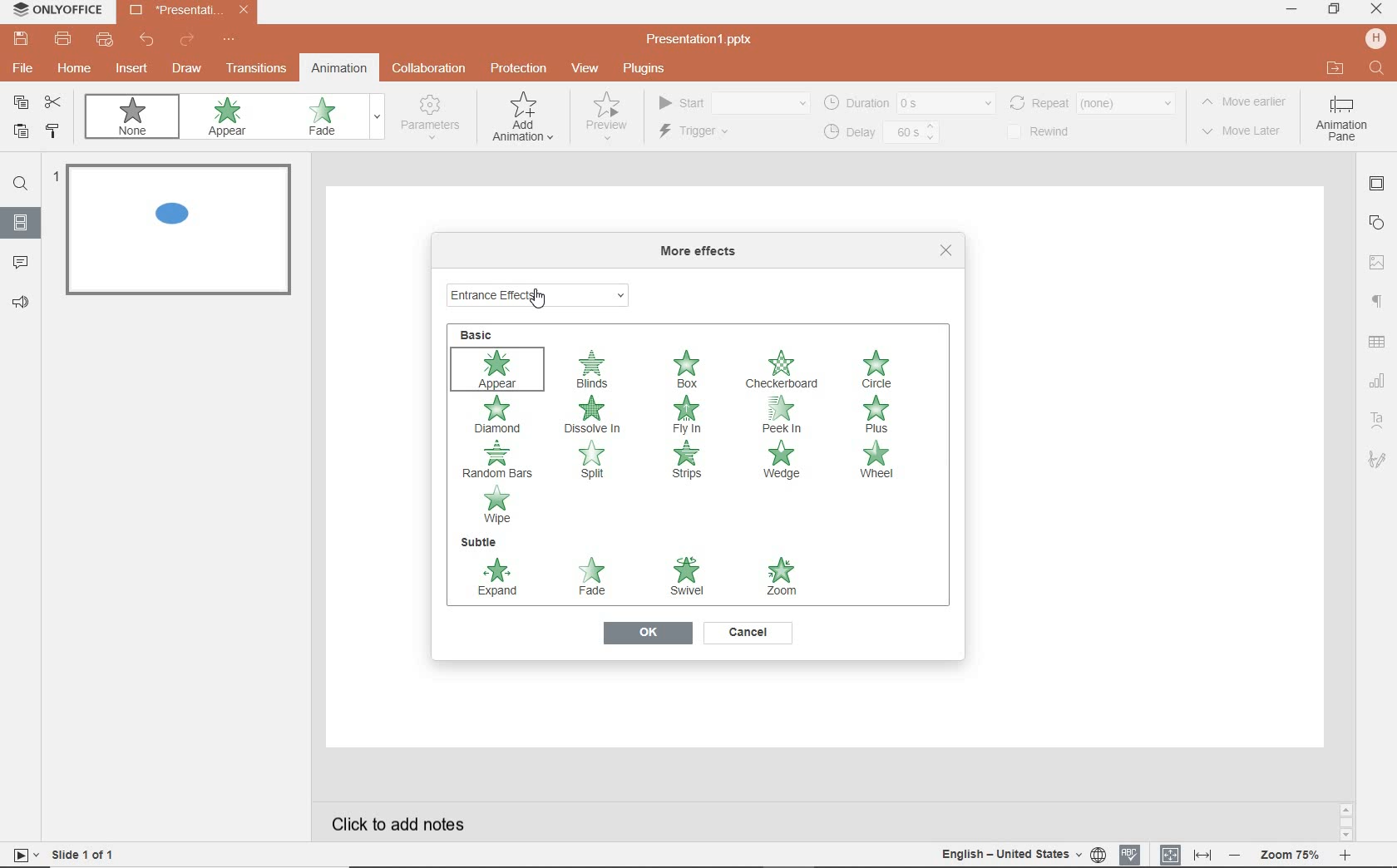 This screenshot has width=1397, height=868. Describe the element at coordinates (684, 461) in the screenshot. I see `STRIPS` at that location.